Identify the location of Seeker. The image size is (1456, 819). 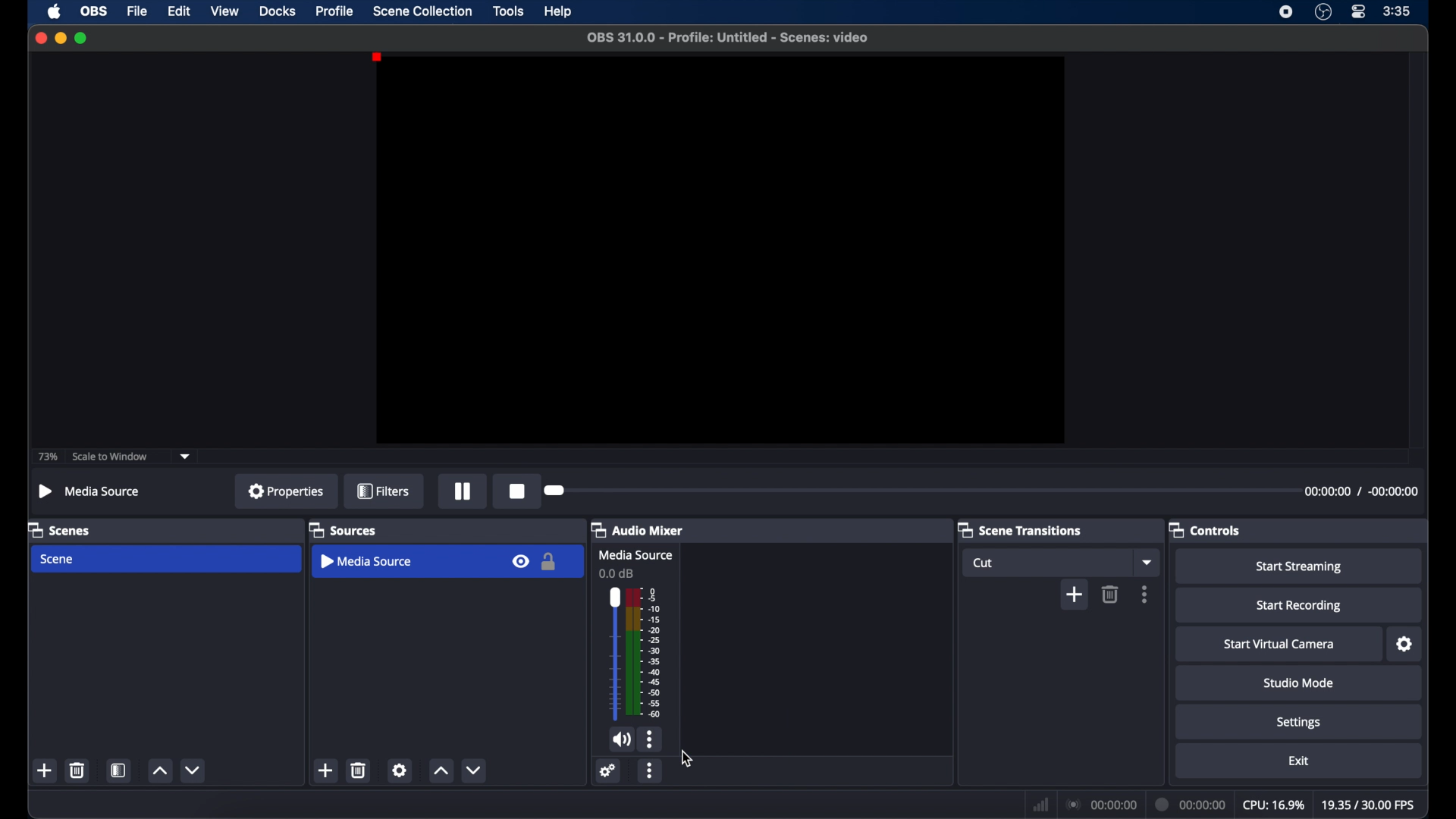
(561, 489).